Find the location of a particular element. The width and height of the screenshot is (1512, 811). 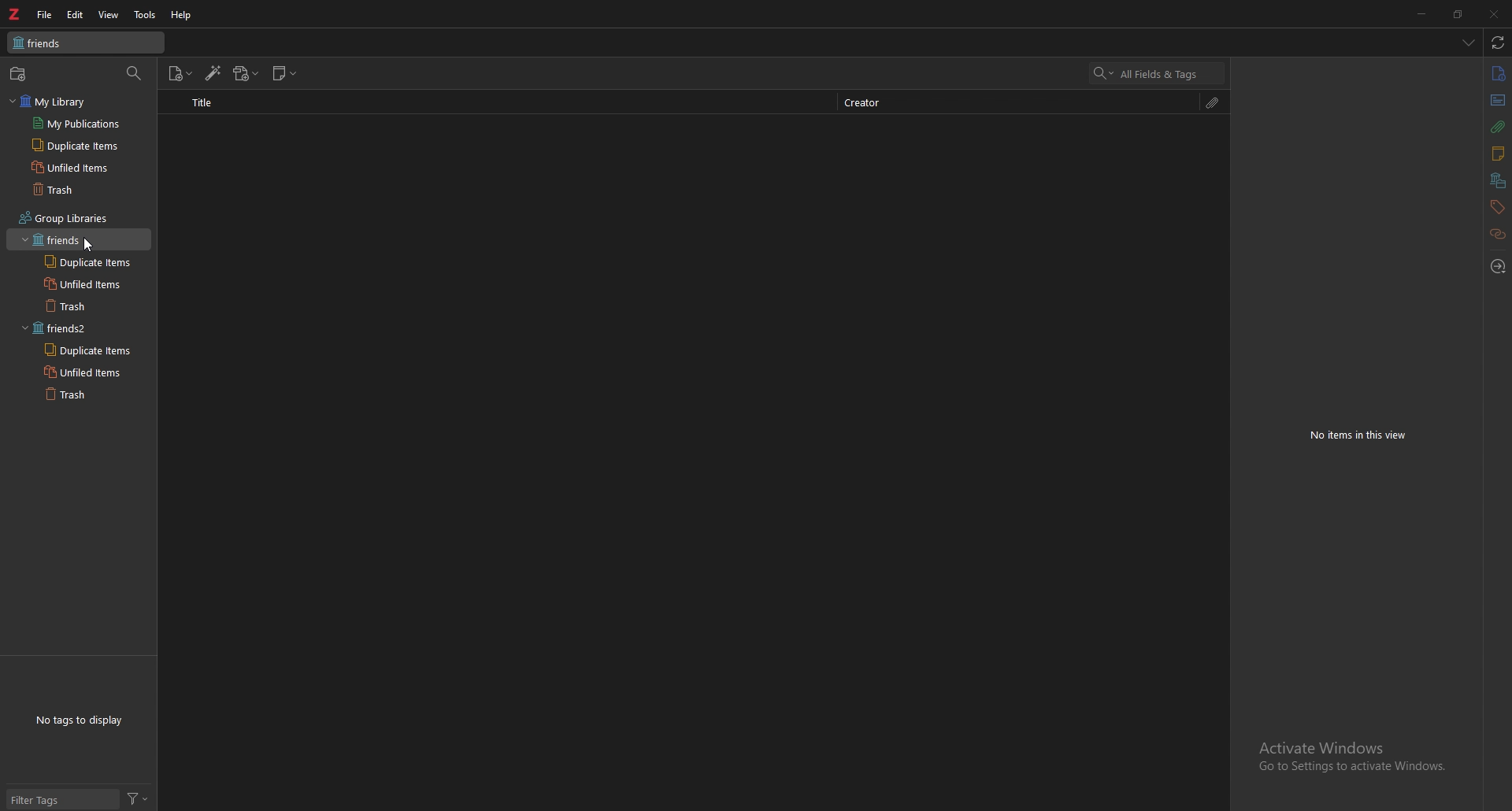

duplicate items is located at coordinates (87, 144).